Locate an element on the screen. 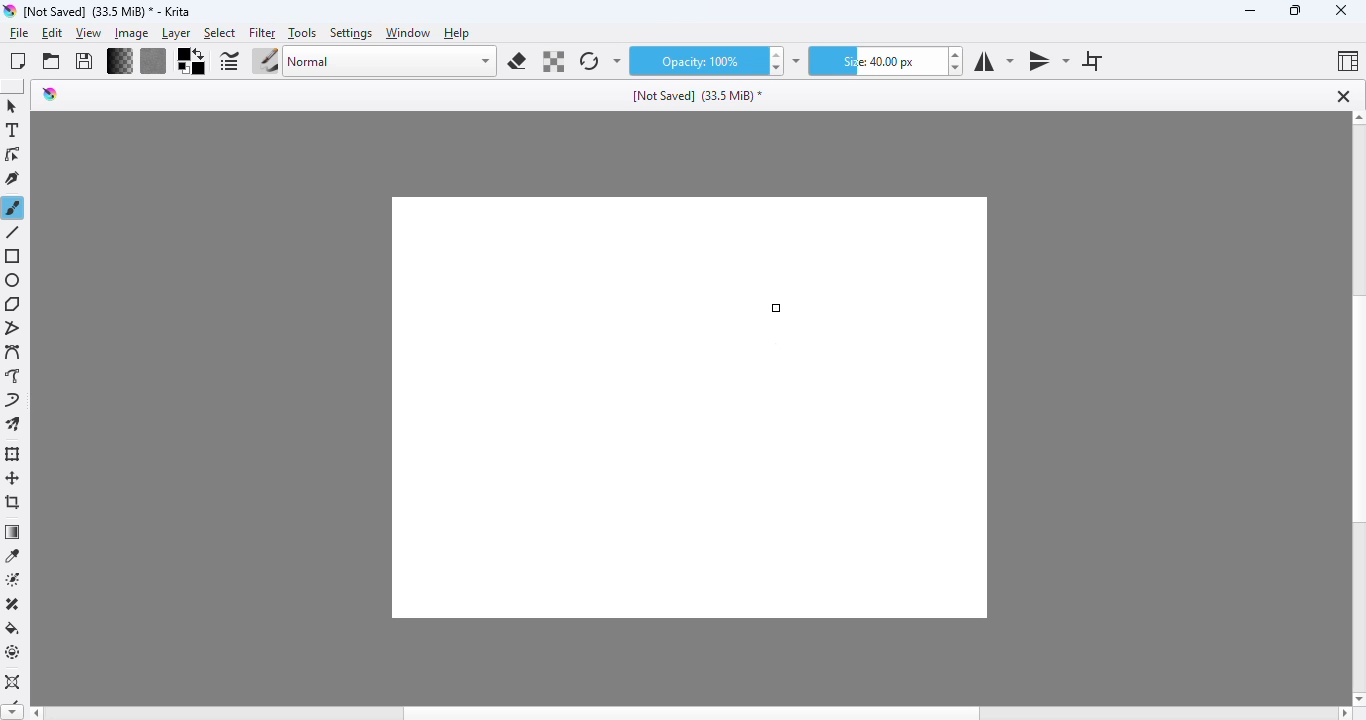  draw a gradient is located at coordinates (13, 532).